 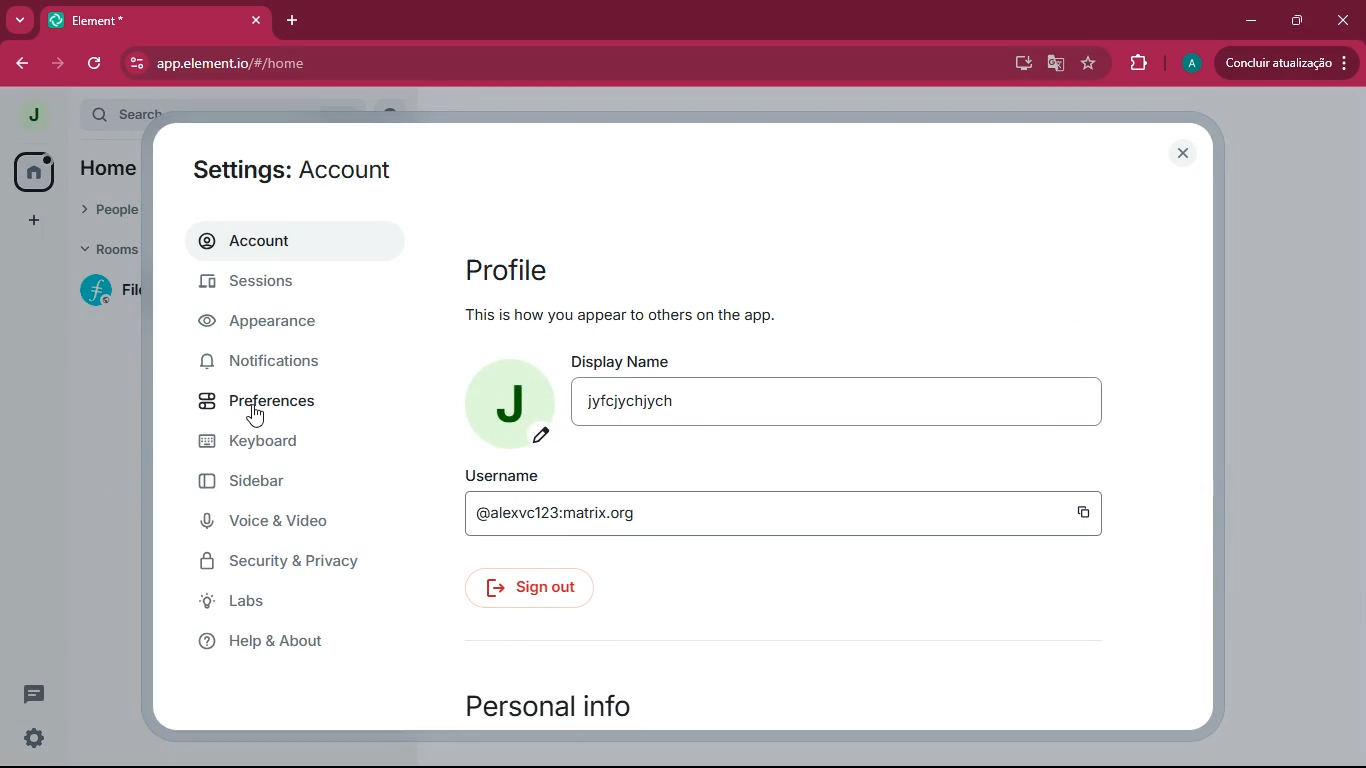 What do you see at coordinates (260, 481) in the screenshot?
I see `sidebar` at bounding box center [260, 481].